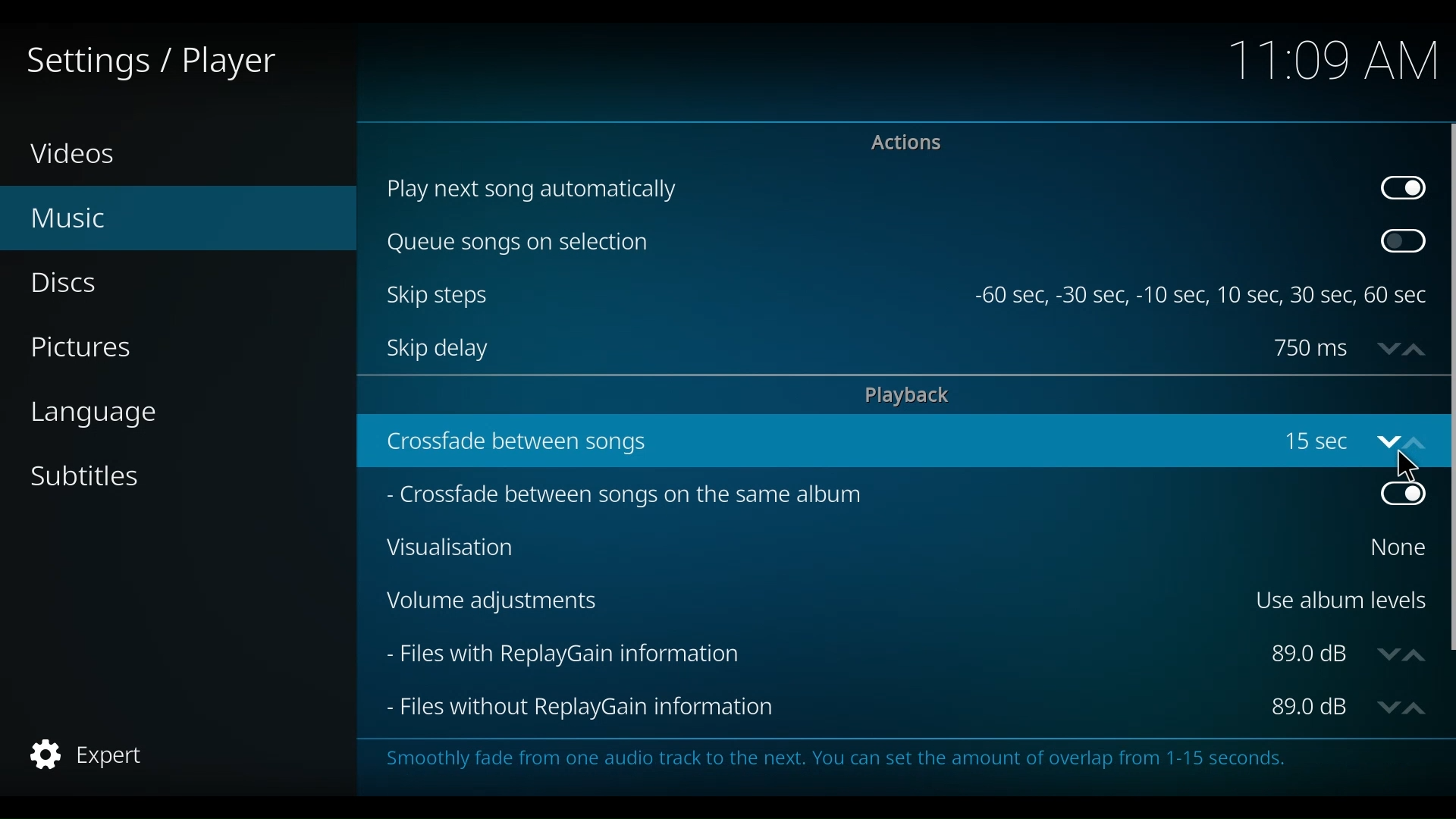 This screenshot has height=819, width=1456. What do you see at coordinates (1310, 708) in the screenshot?
I see `Files without ReplayGain information dB` at bounding box center [1310, 708].